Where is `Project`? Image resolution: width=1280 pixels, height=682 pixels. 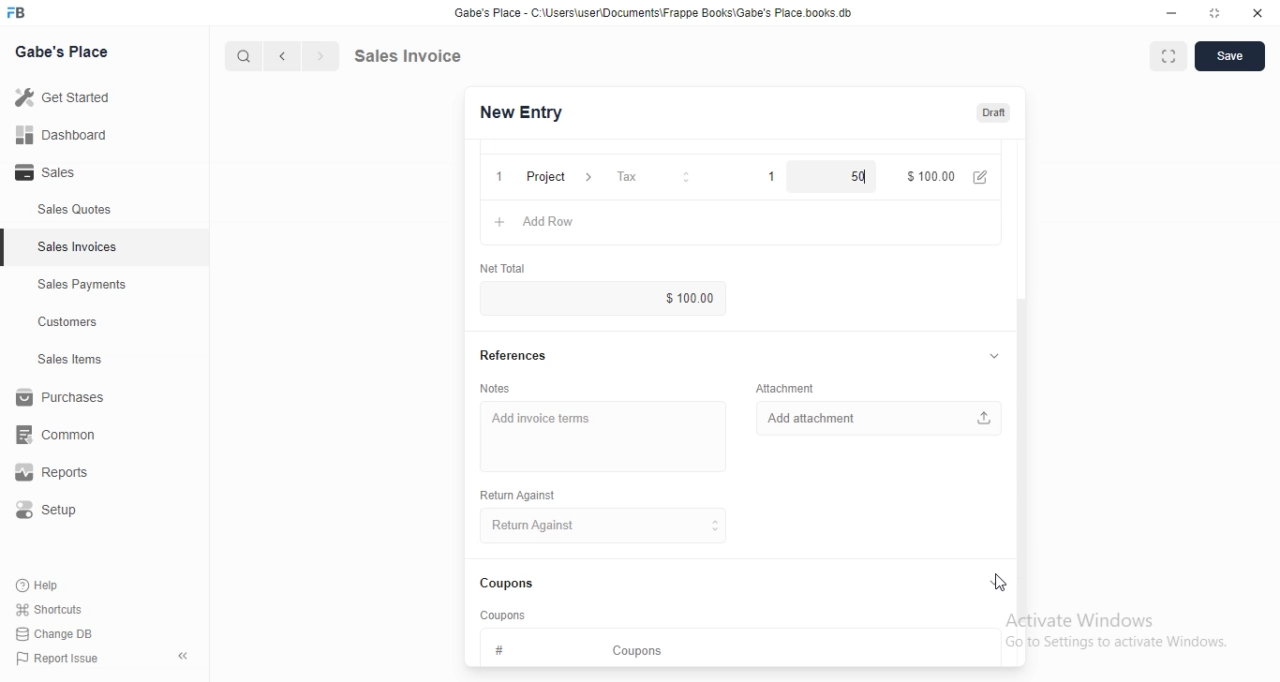 Project is located at coordinates (557, 175).